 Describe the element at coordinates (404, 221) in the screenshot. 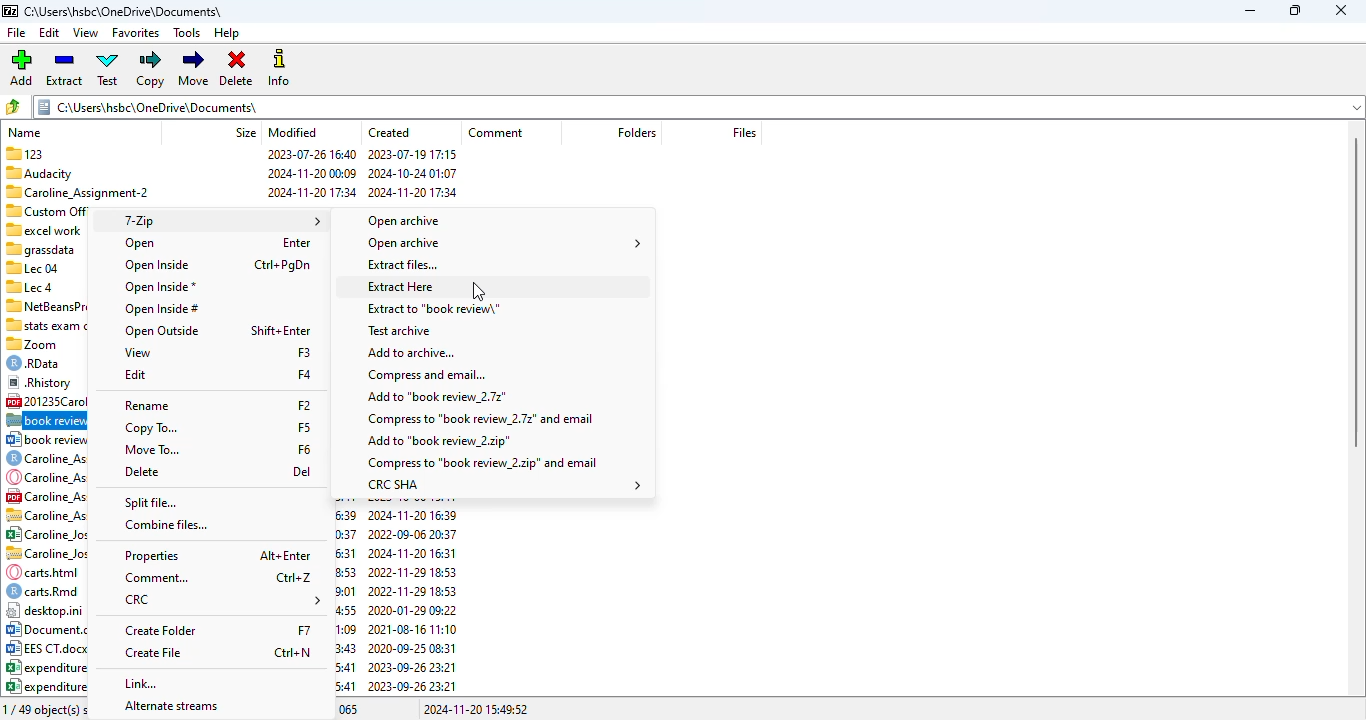

I see `open archive` at that location.